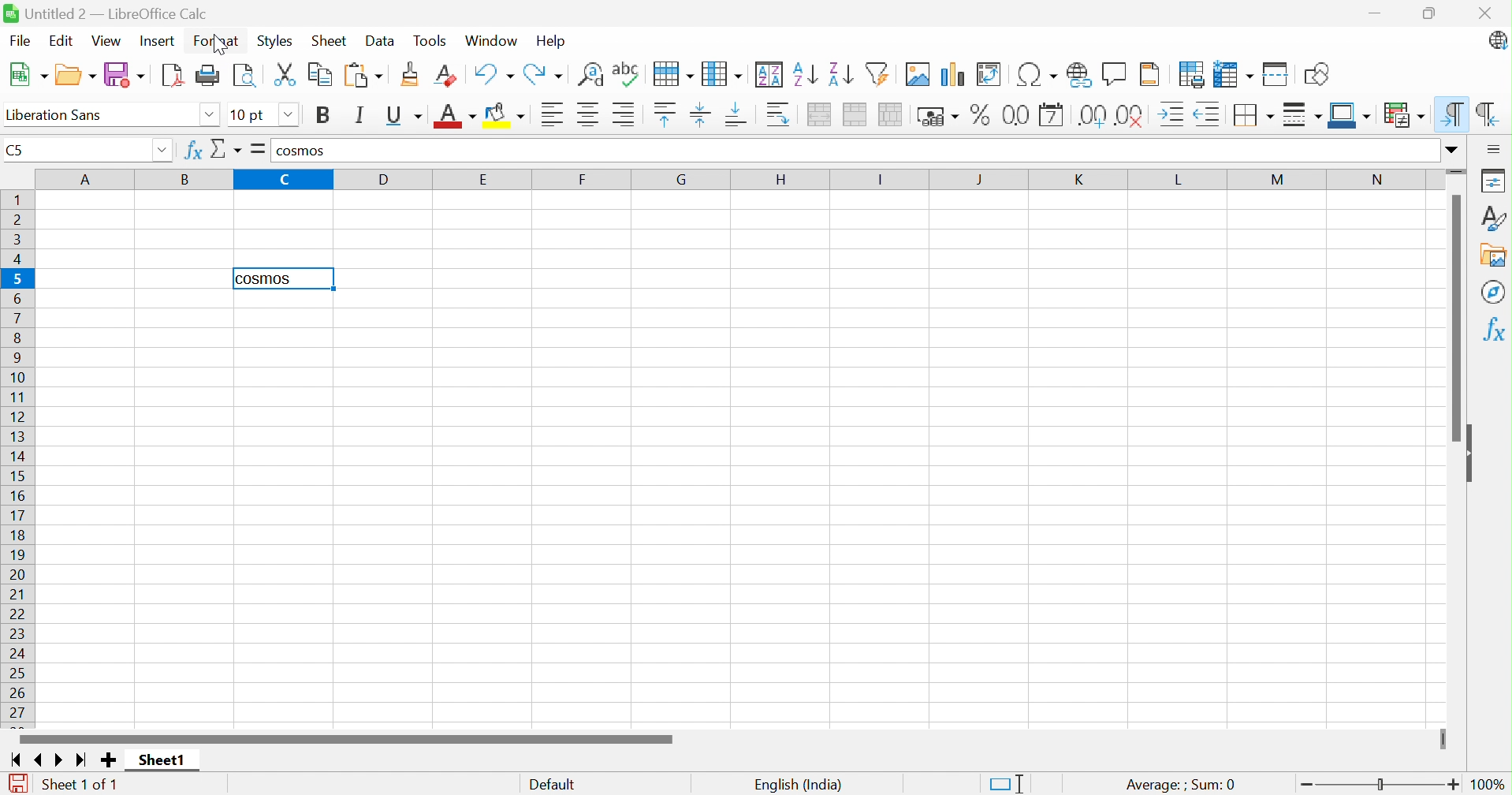 This screenshot has height=795, width=1512. Describe the element at coordinates (166, 151) in the screenshot. I see `Drop down` at that location.